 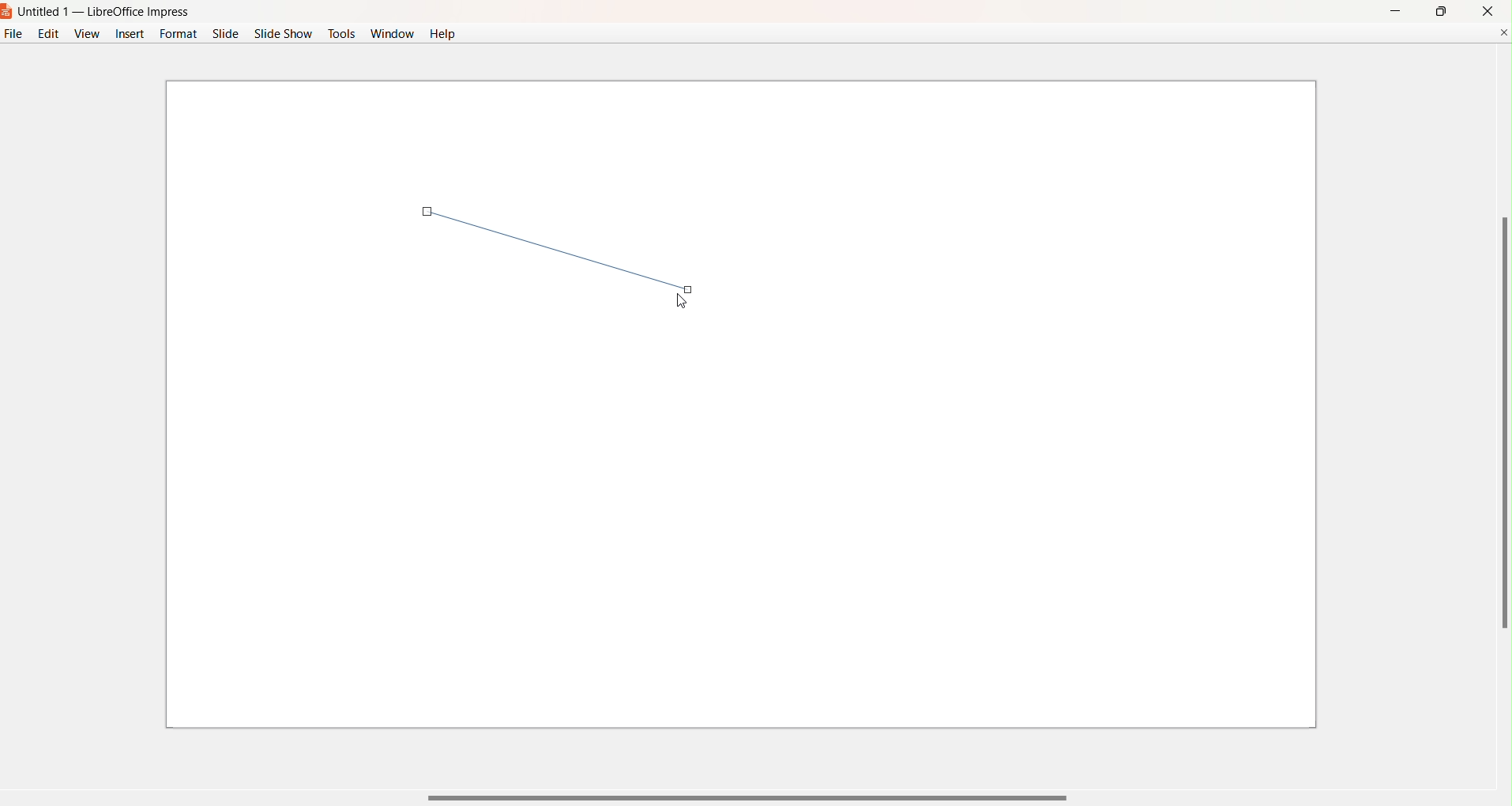 I want to click on Edit, so click(x=48, y=33).